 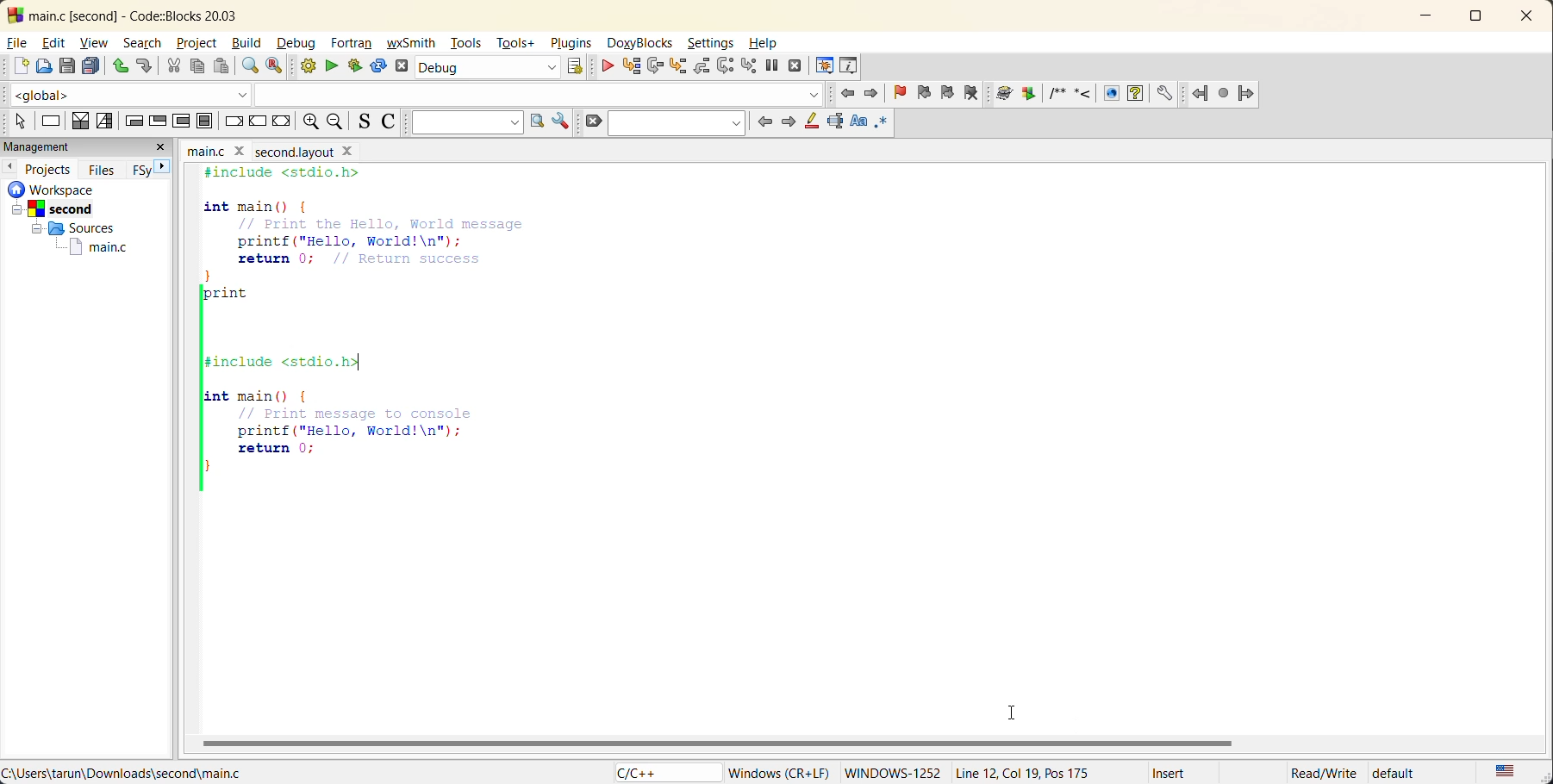 I want to click on selected text, so click(x=835, y=124).